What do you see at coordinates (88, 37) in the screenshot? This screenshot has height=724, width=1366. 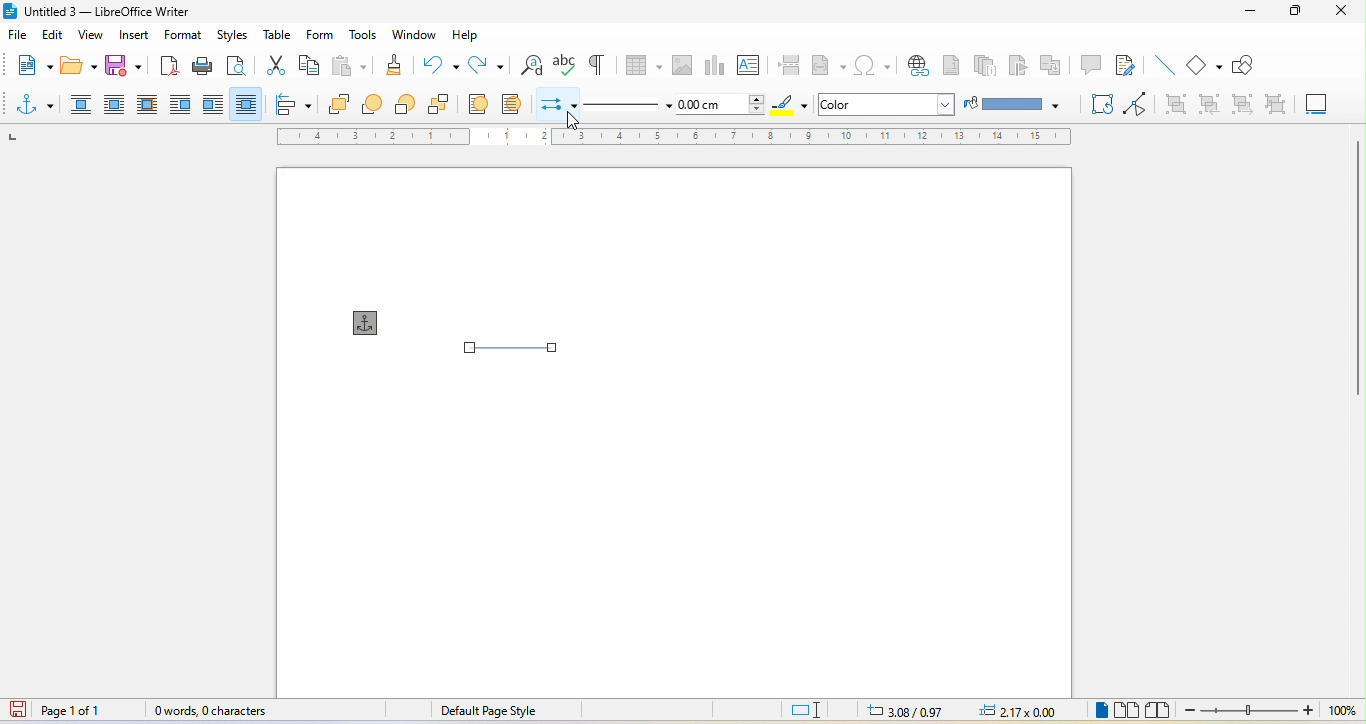 I see `view` at bounding box center [88, 37].